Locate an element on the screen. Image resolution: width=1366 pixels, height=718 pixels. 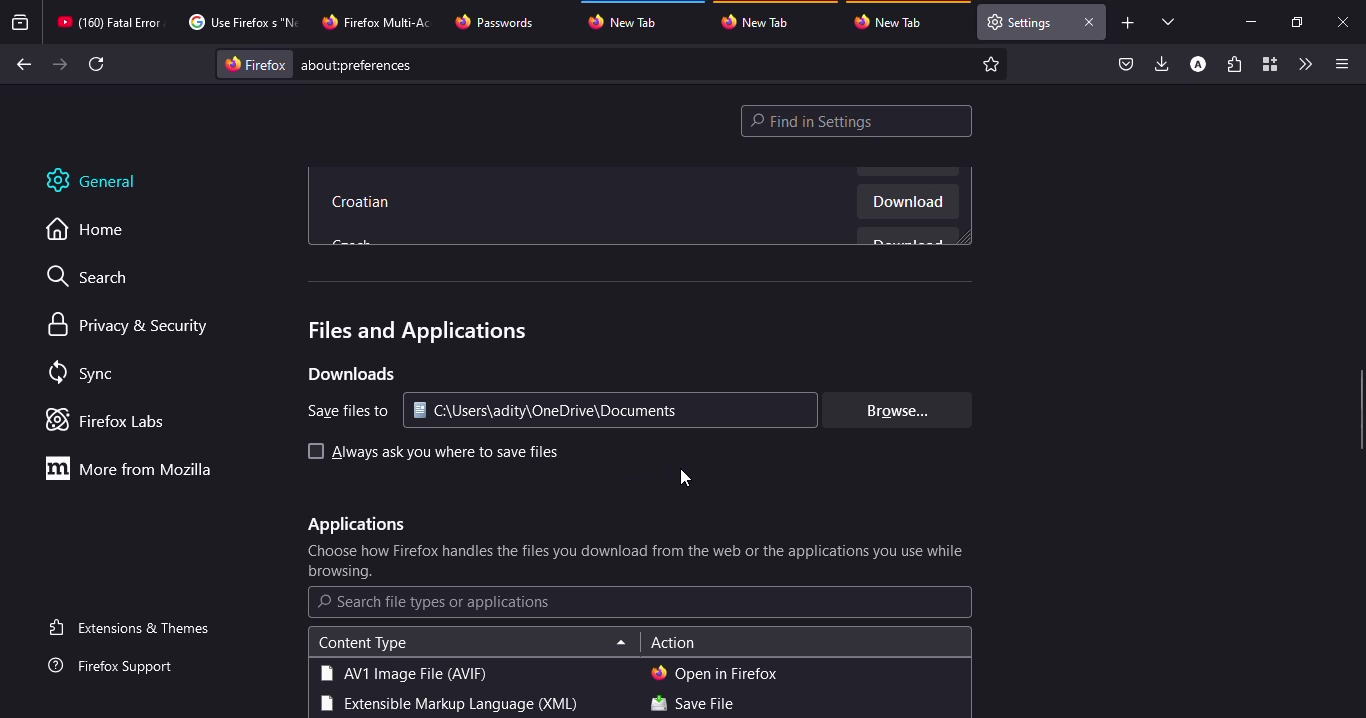
minimize is located at coordinates (1250, 21).